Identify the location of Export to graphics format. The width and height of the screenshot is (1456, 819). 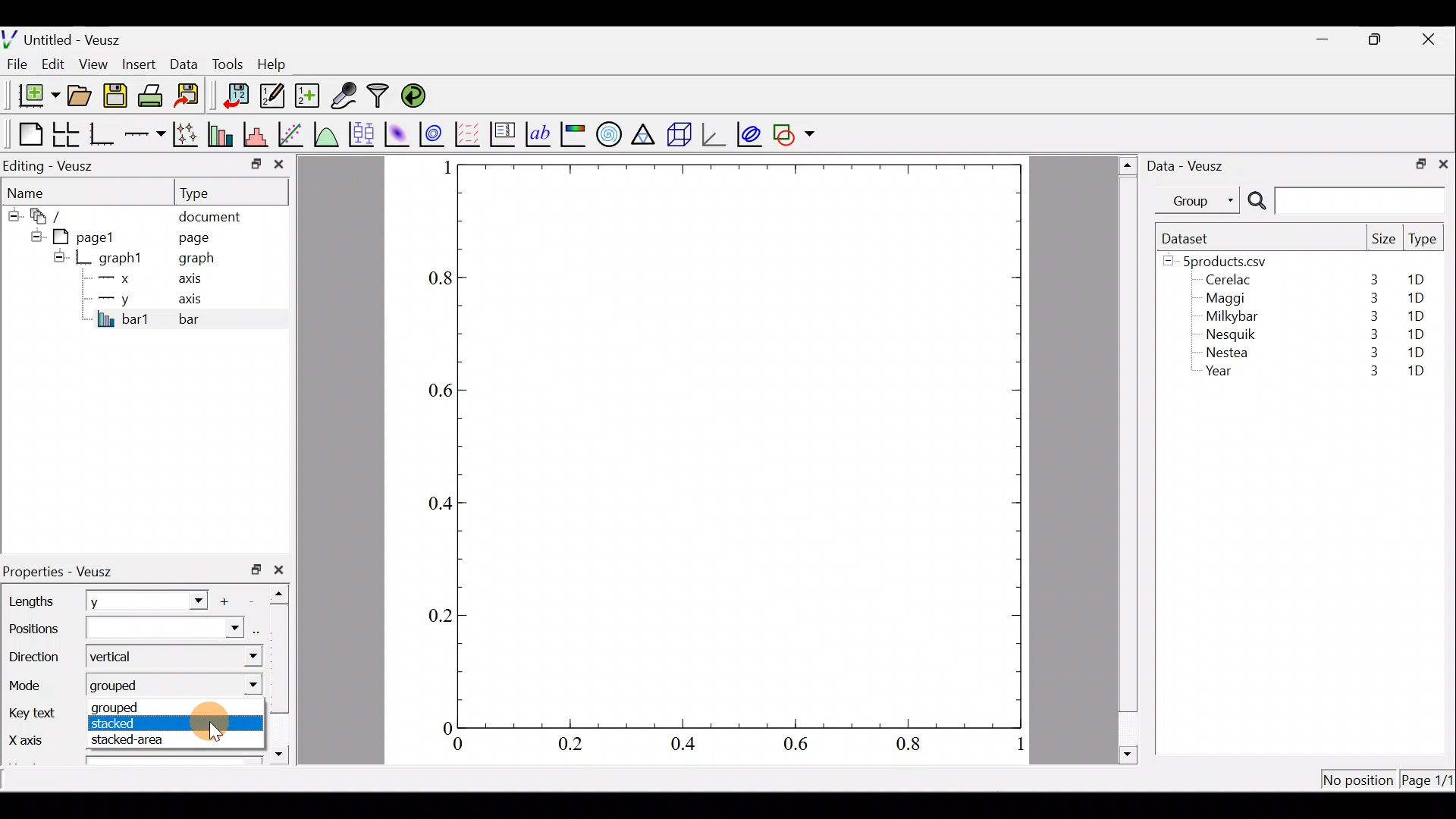
(192, 96).